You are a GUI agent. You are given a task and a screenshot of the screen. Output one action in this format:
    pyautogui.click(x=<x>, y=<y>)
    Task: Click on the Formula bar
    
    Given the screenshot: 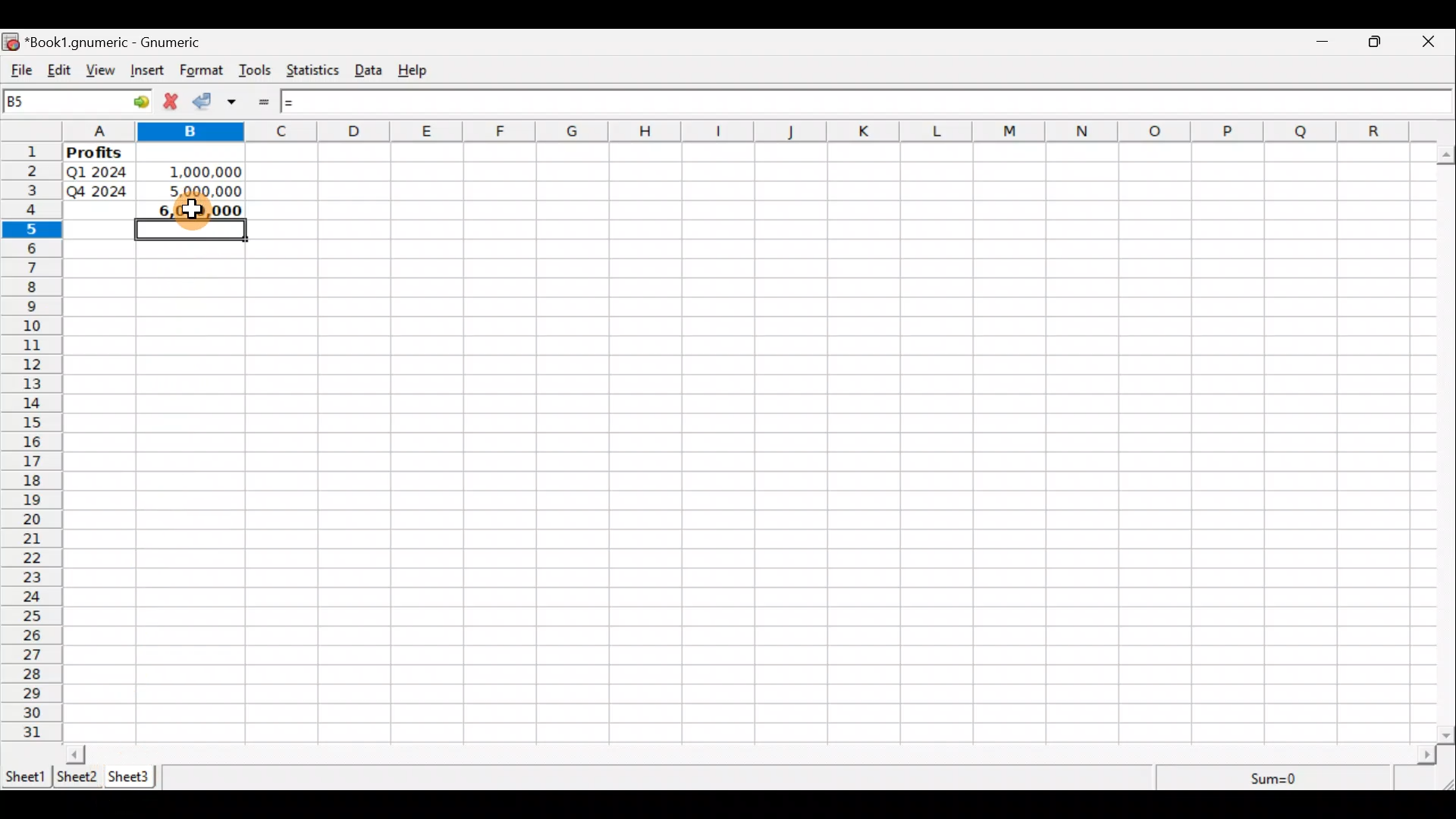 What is the action you would take?
    pyautogui.click(x=861, y=100)
    